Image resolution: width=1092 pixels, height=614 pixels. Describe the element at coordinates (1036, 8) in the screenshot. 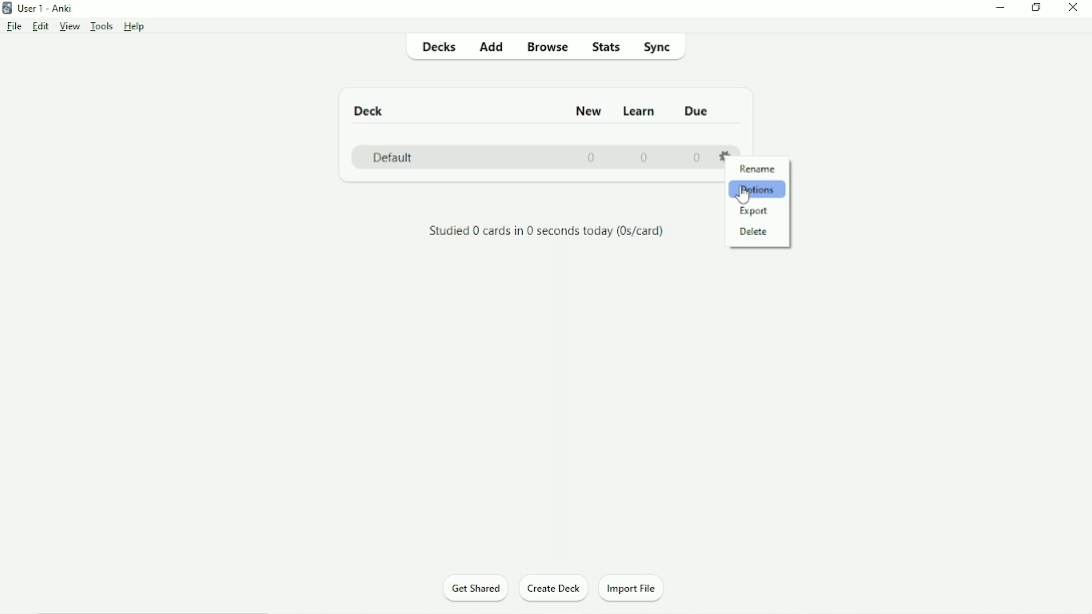

I see `Restore down` at that location.